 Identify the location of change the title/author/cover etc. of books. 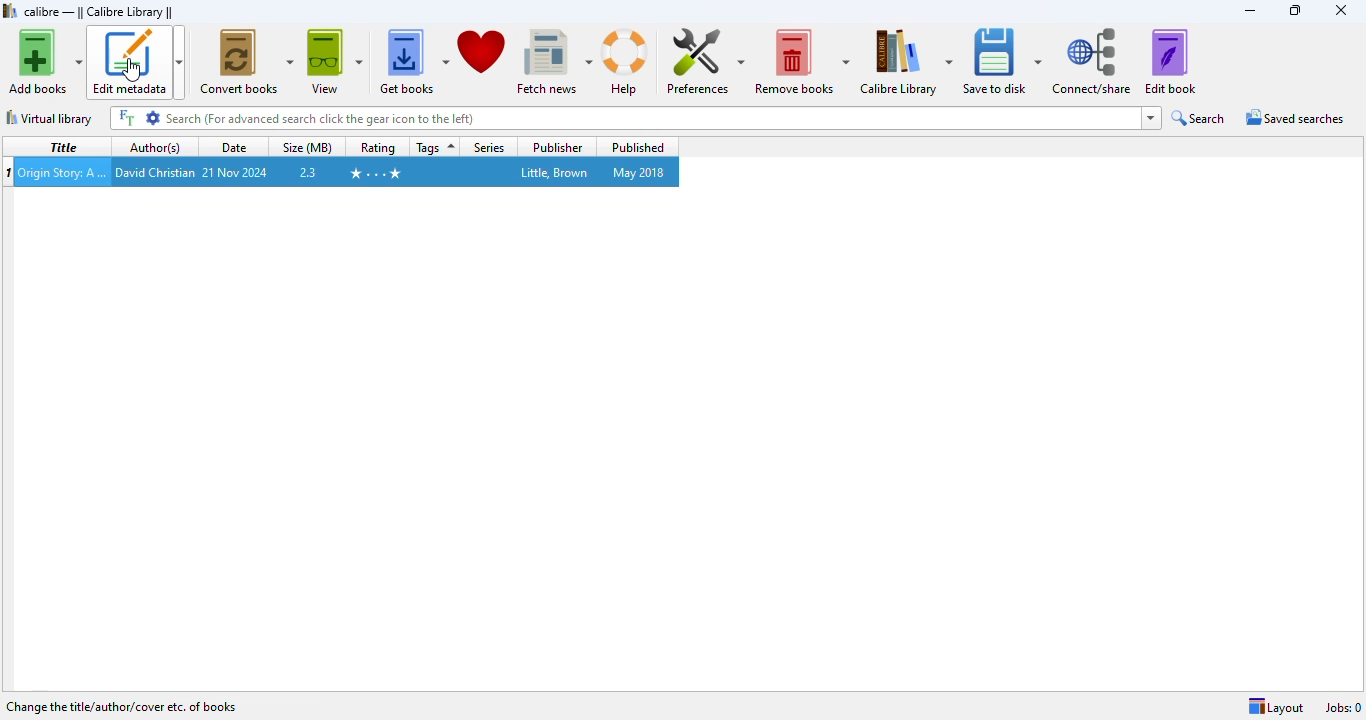
(122, 706).